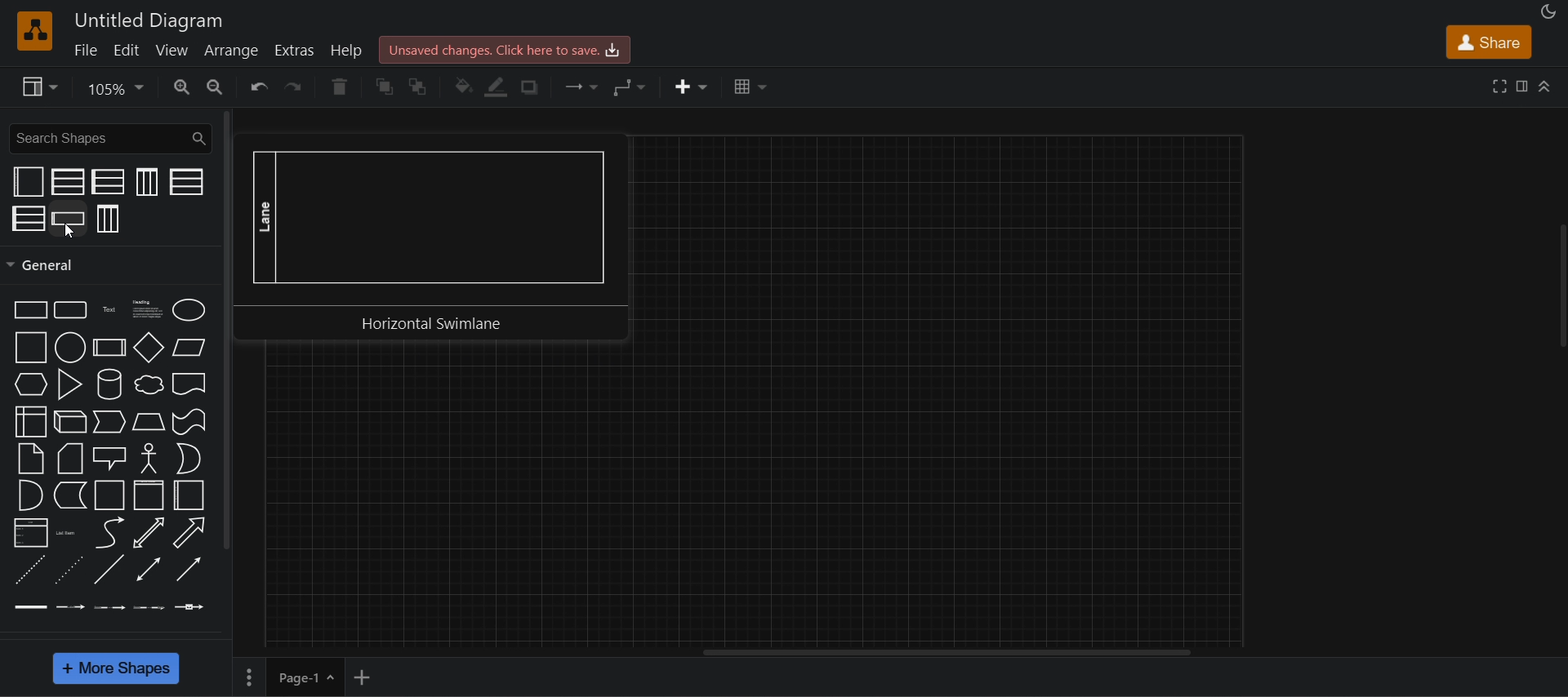  What do you see at coordinates (189, 495) in the screenshot?
I see `horizontal container` at bounding box center [189, 495].